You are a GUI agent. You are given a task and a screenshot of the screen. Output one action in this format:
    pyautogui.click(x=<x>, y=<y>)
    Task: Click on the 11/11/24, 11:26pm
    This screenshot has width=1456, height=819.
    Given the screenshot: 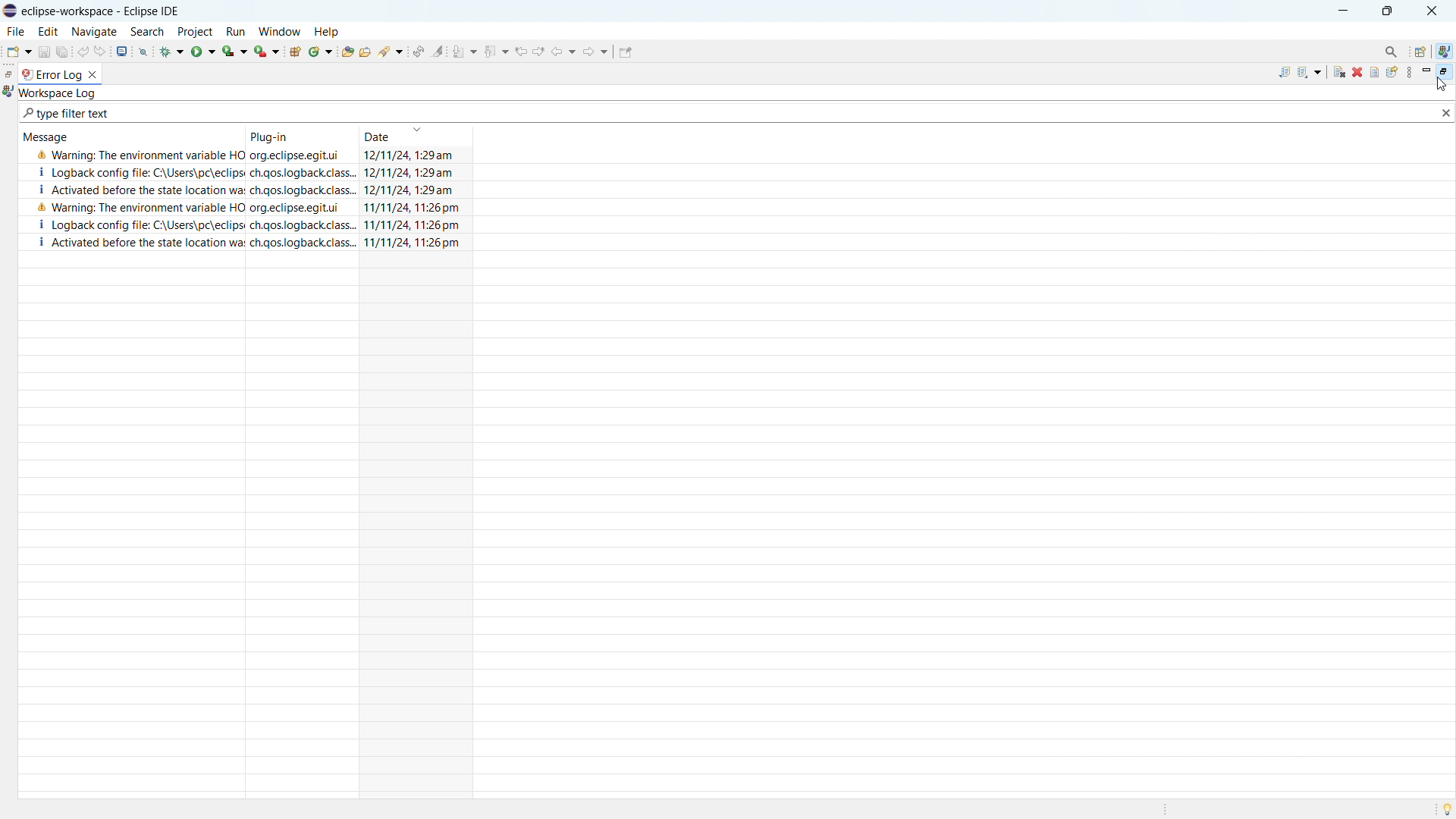 What is the action you would take?
    pyautogui.click(x=416, y=243)
    